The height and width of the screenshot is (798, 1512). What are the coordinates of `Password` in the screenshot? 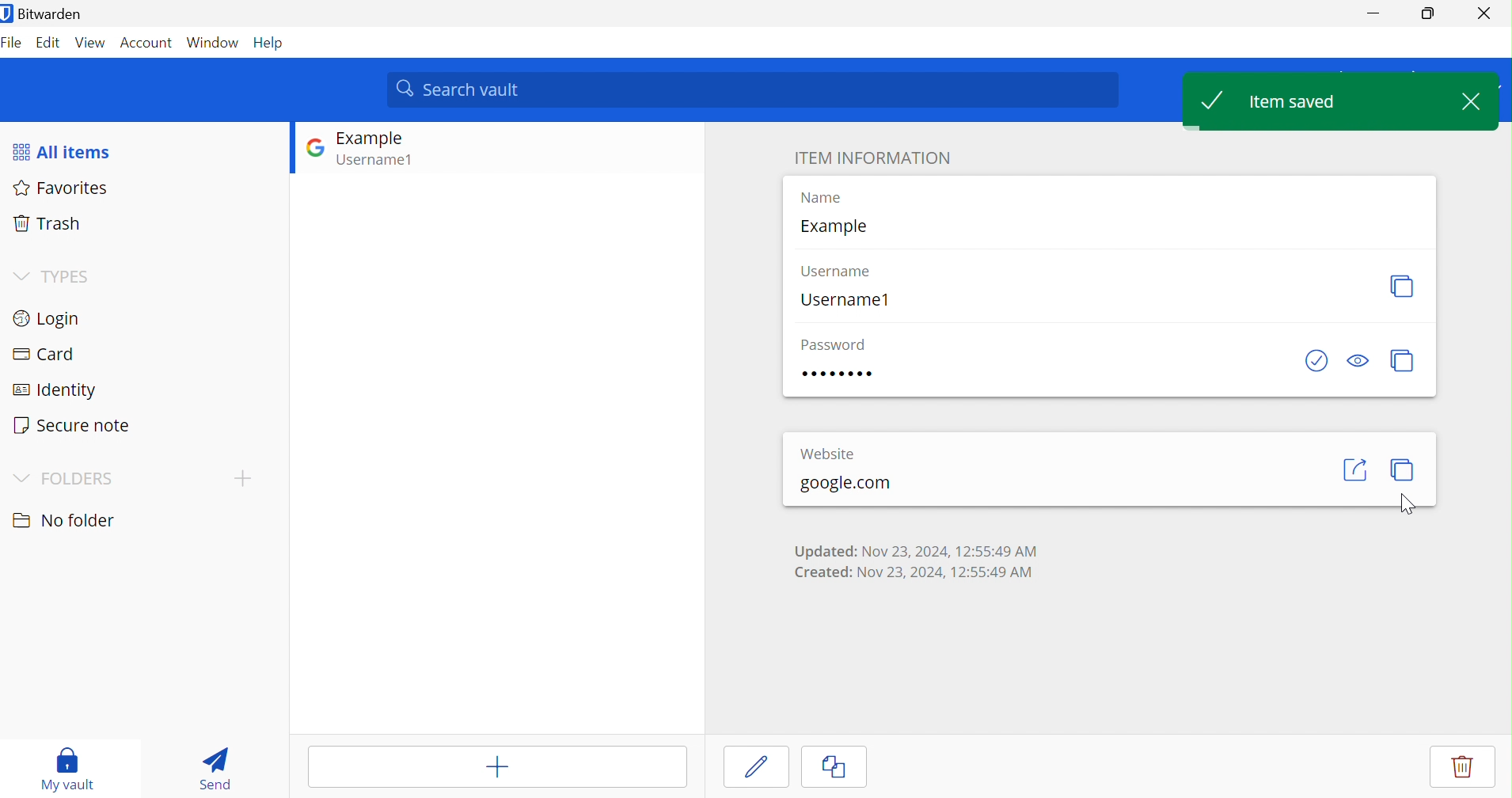 It's located at (833, 344).